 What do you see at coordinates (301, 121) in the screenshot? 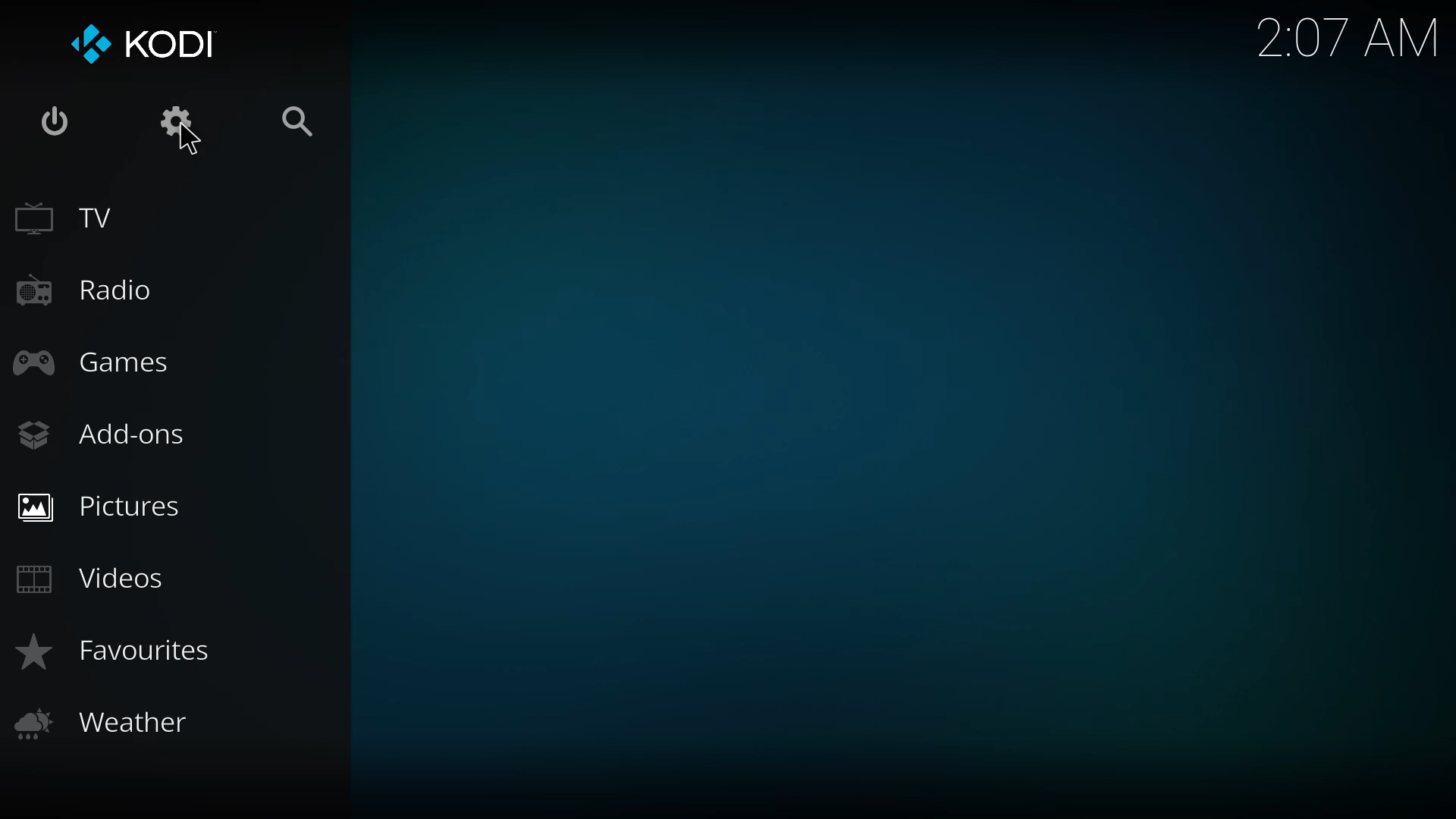
I see `search` at bounding box center [301, 121].